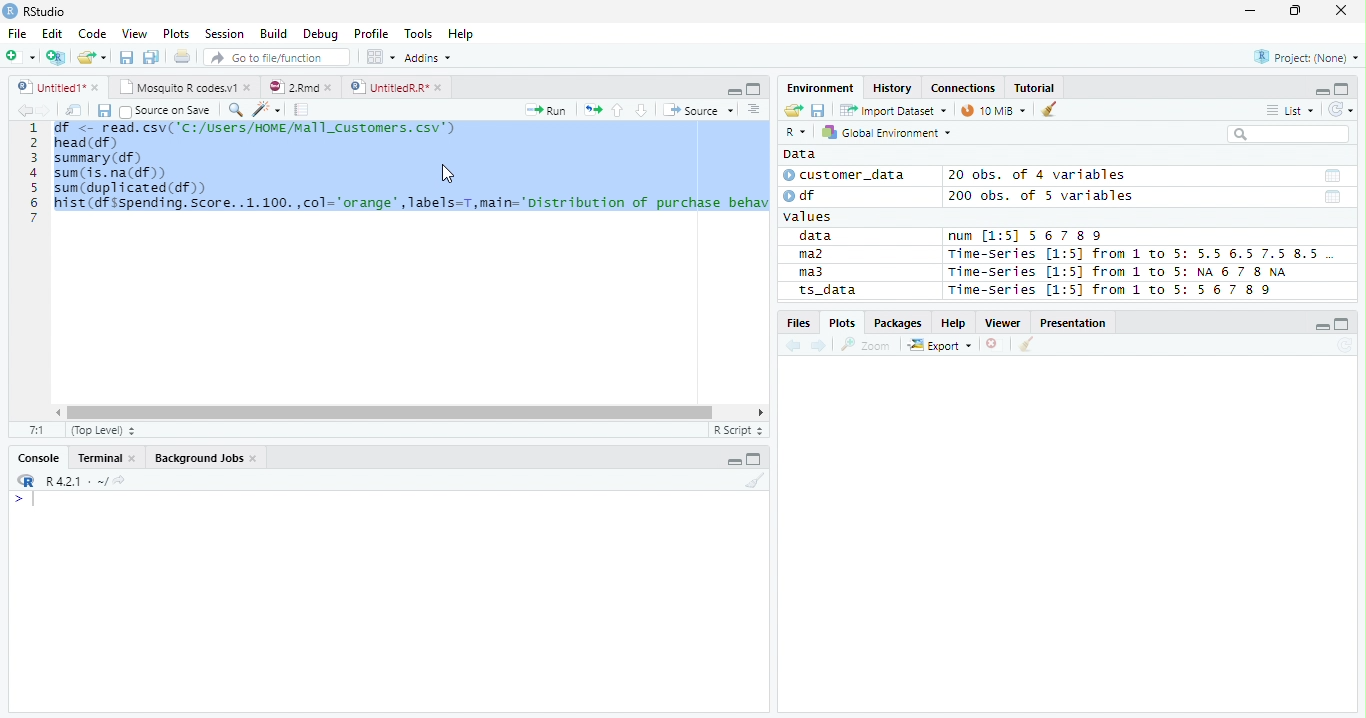 The height and width of the screenshot is (718, 1366). I want to click on Terminal, so click(106, 460).